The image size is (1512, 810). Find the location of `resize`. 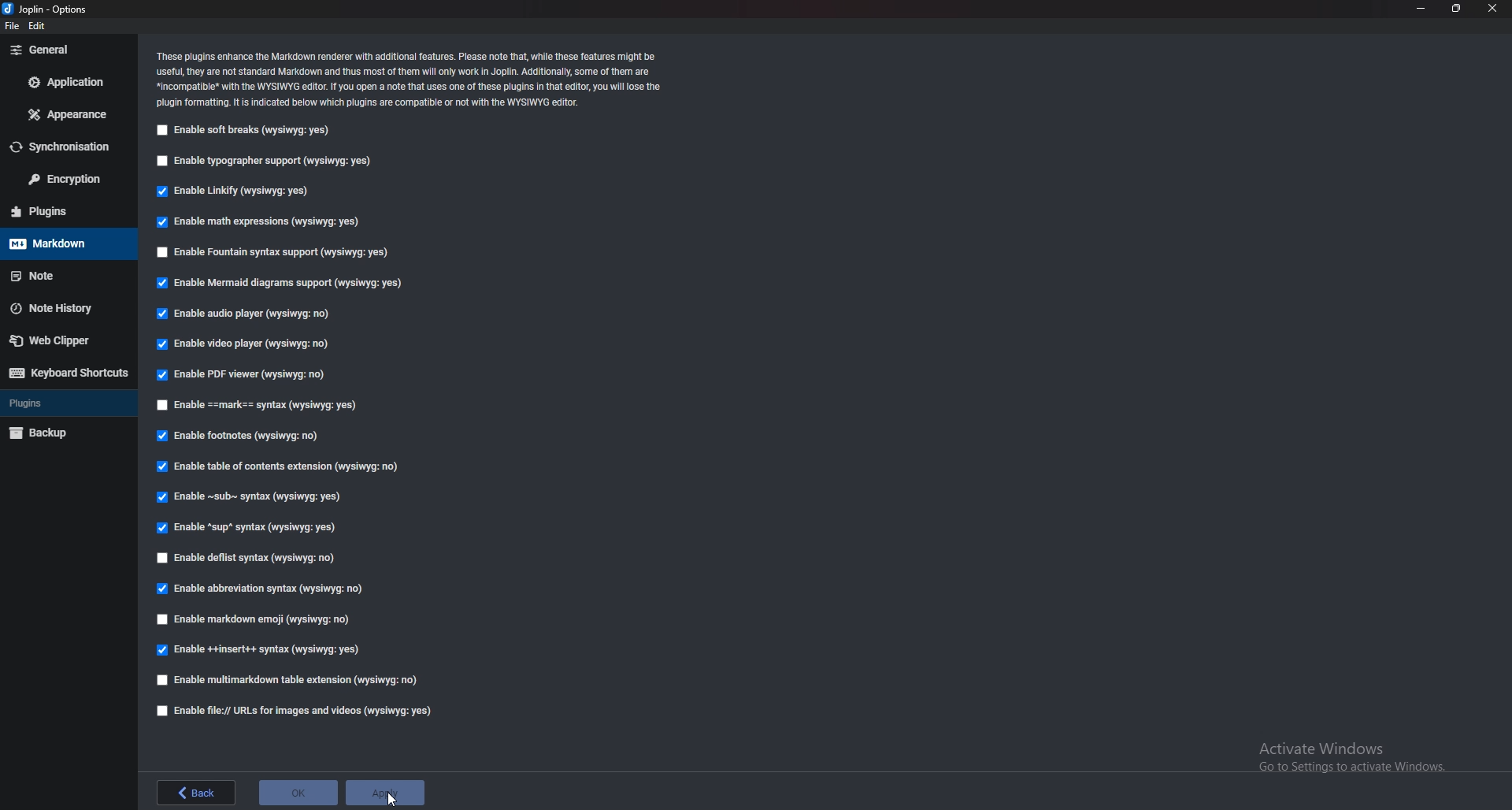

resize is located at coordinates (1457, 8).